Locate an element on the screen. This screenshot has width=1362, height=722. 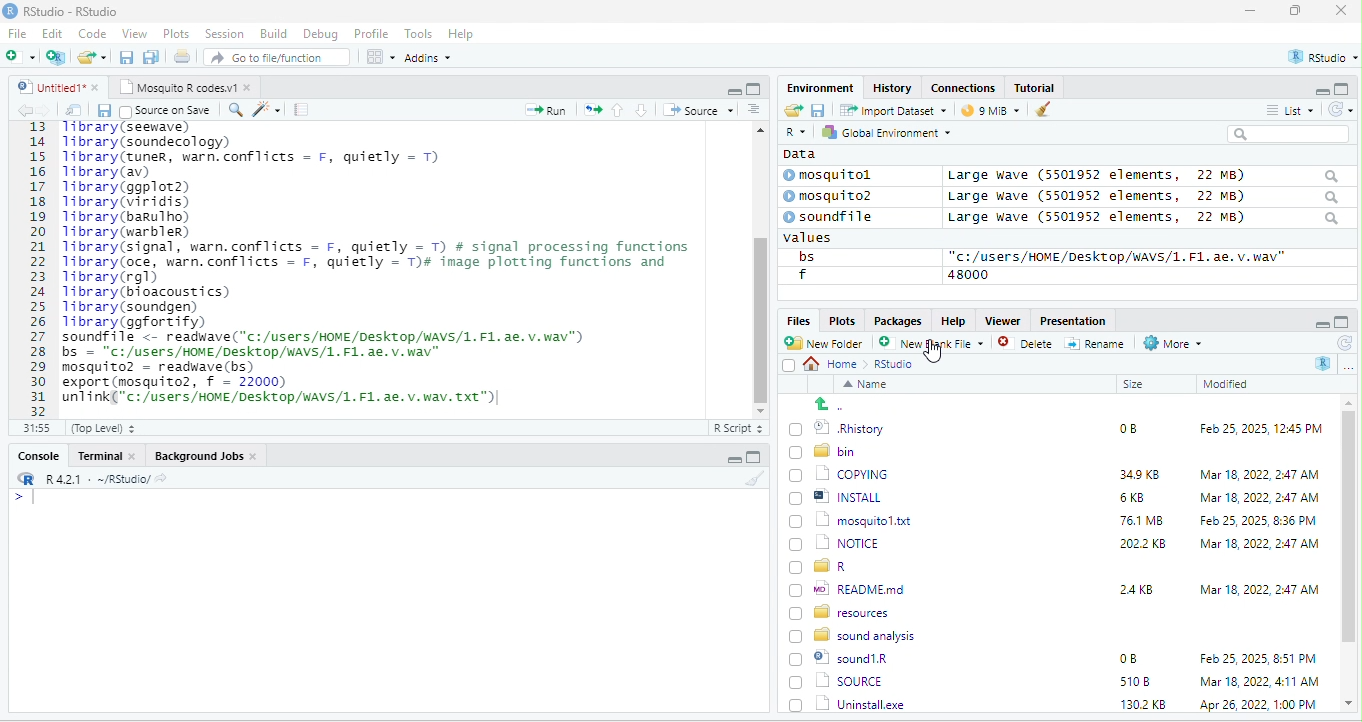
Plots is located at coordinates (177, 33).